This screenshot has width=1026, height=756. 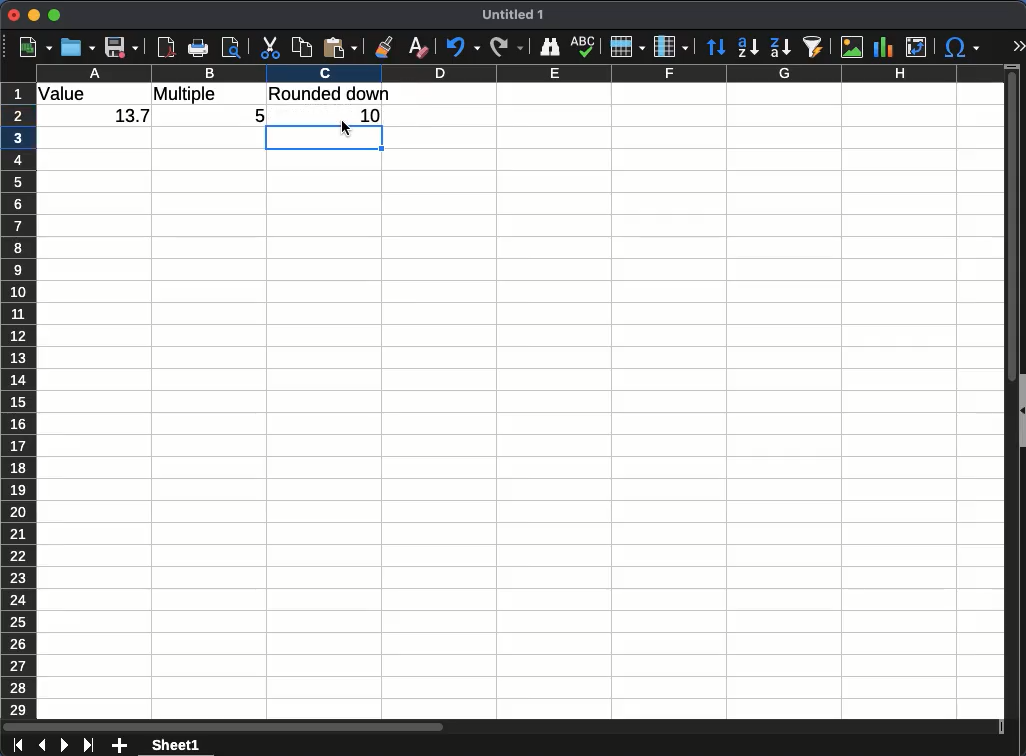 What do you see at coordinates (41, 746) in the screenshot?
I see `previous sheet` at bounding box center [41, 746].